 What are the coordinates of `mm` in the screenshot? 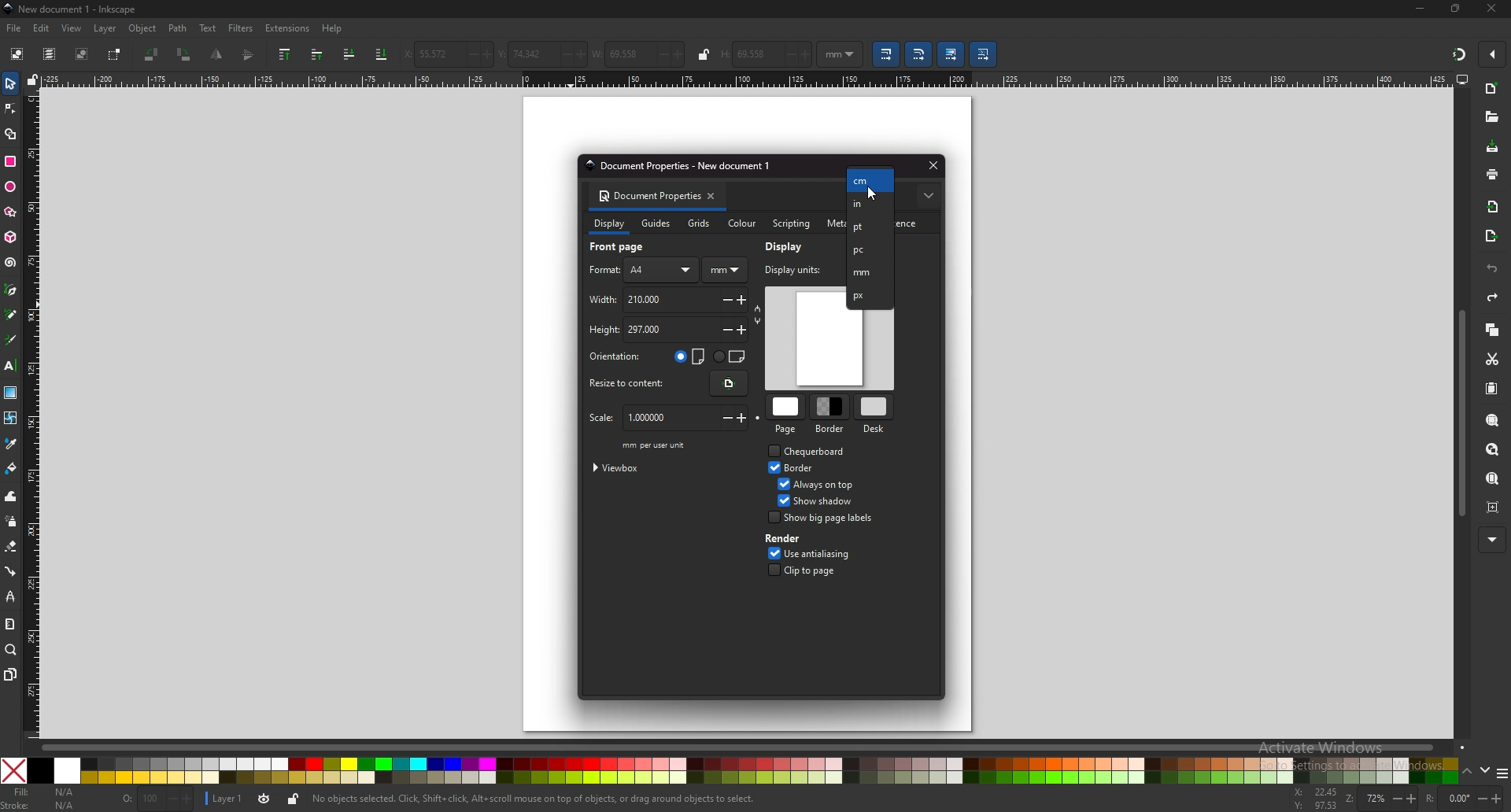 It's located at (868, 273).